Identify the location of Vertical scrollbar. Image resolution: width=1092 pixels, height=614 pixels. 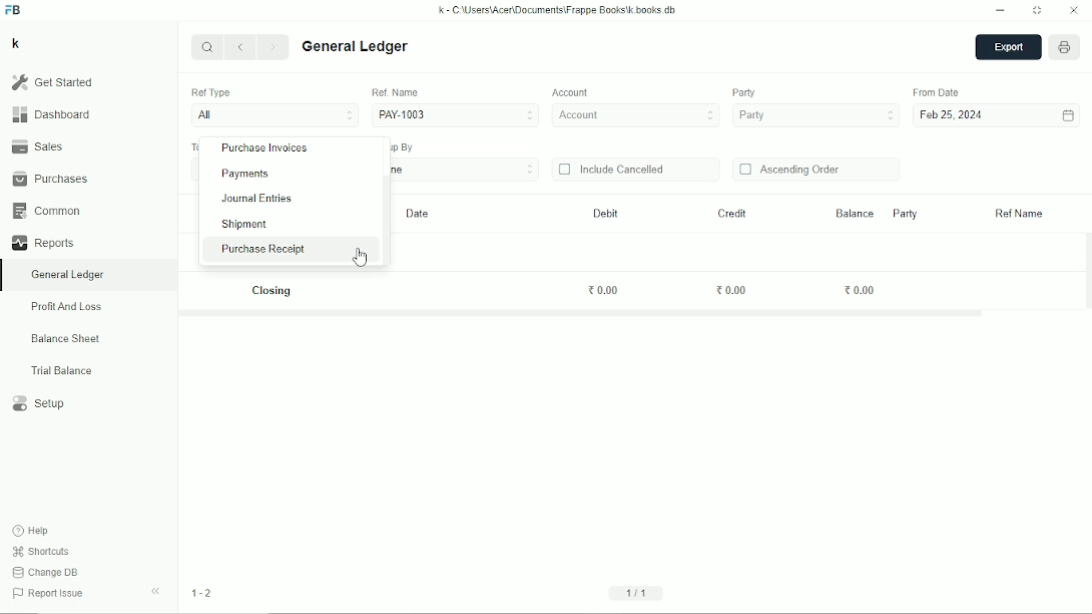
(388, 219).